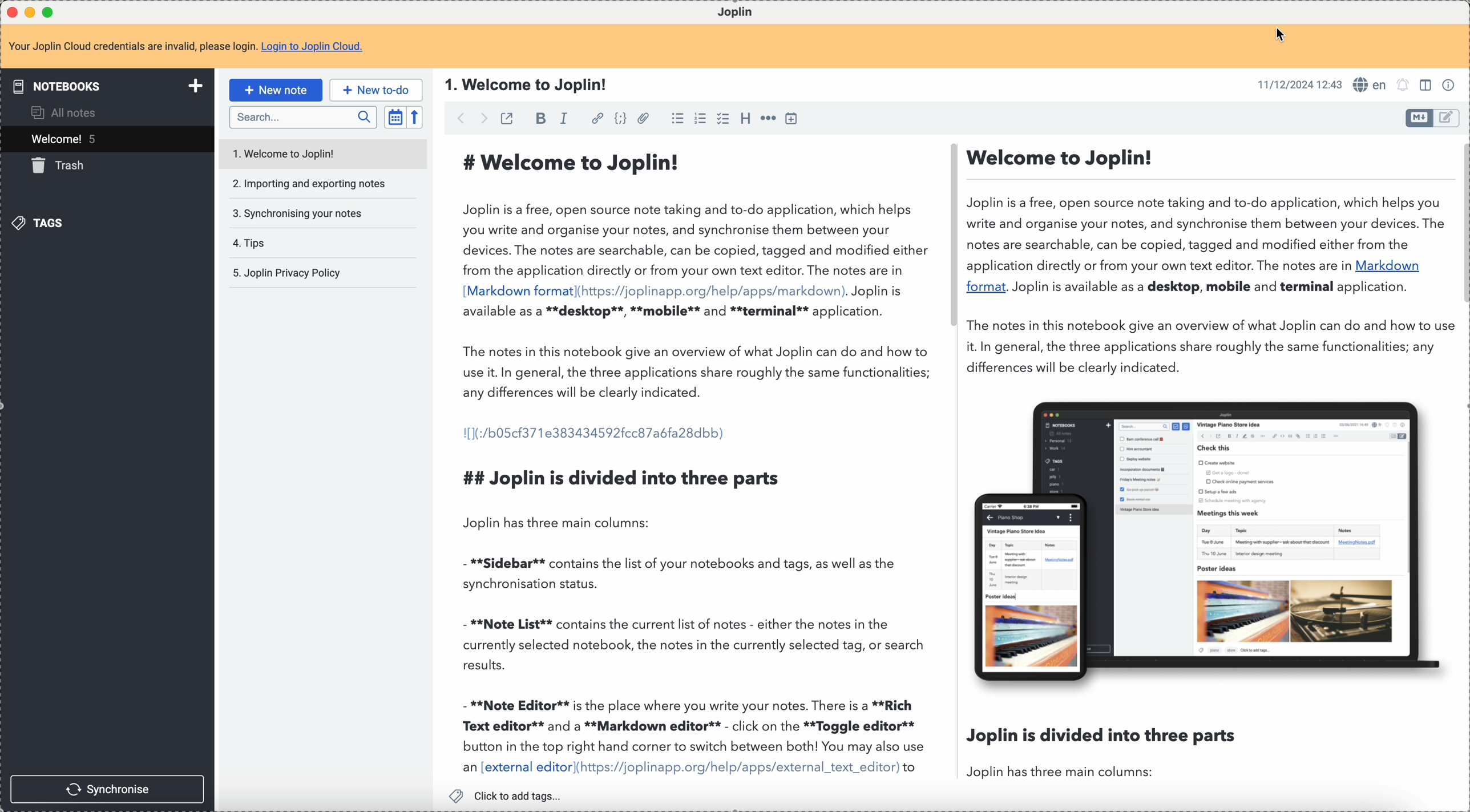  What do you see at coordinates (696, 238) in the screenshot?
I see `Joplin is a free, open source note taking and to-do application, which helps
you write and organise your notes, and synchronise them between your
devices. The notes are searchable, can be copied, tagged and modified either
from the application directly or from your own text editor. The notes are in` at bounding box center [696, 238].